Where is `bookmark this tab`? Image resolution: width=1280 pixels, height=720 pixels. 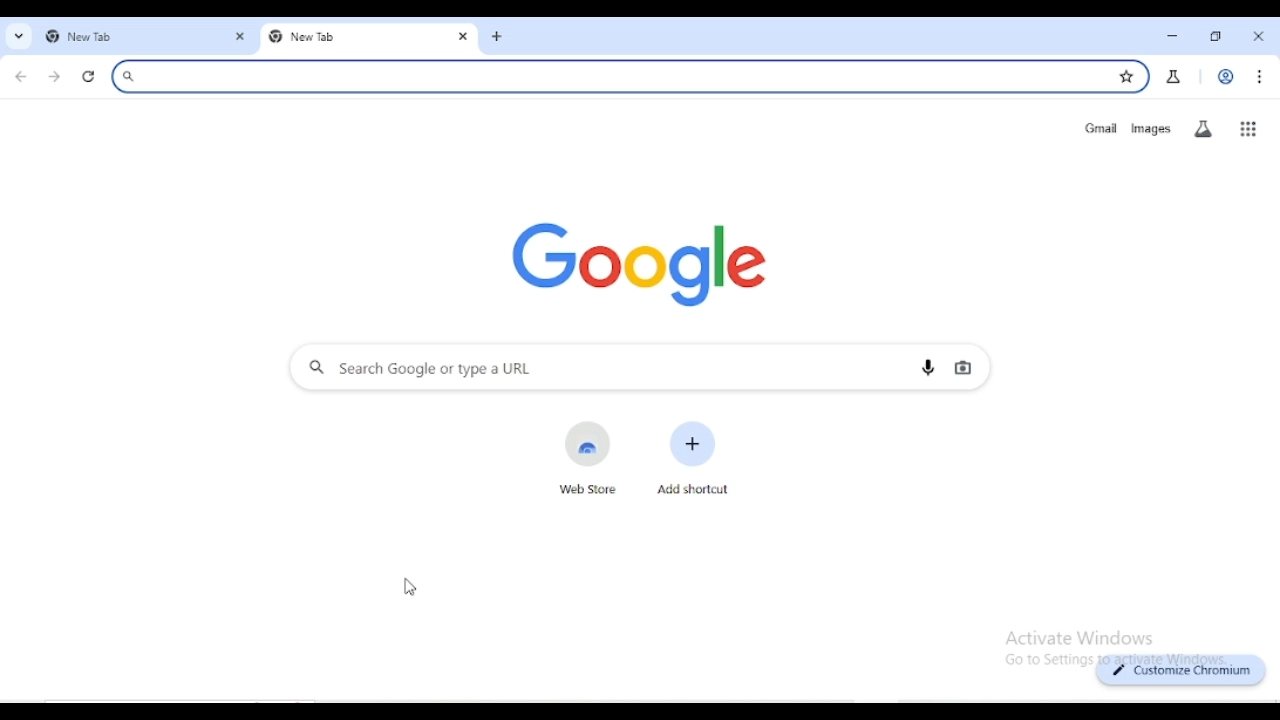
bookmark this tab is located at coordinates (1127, 76).